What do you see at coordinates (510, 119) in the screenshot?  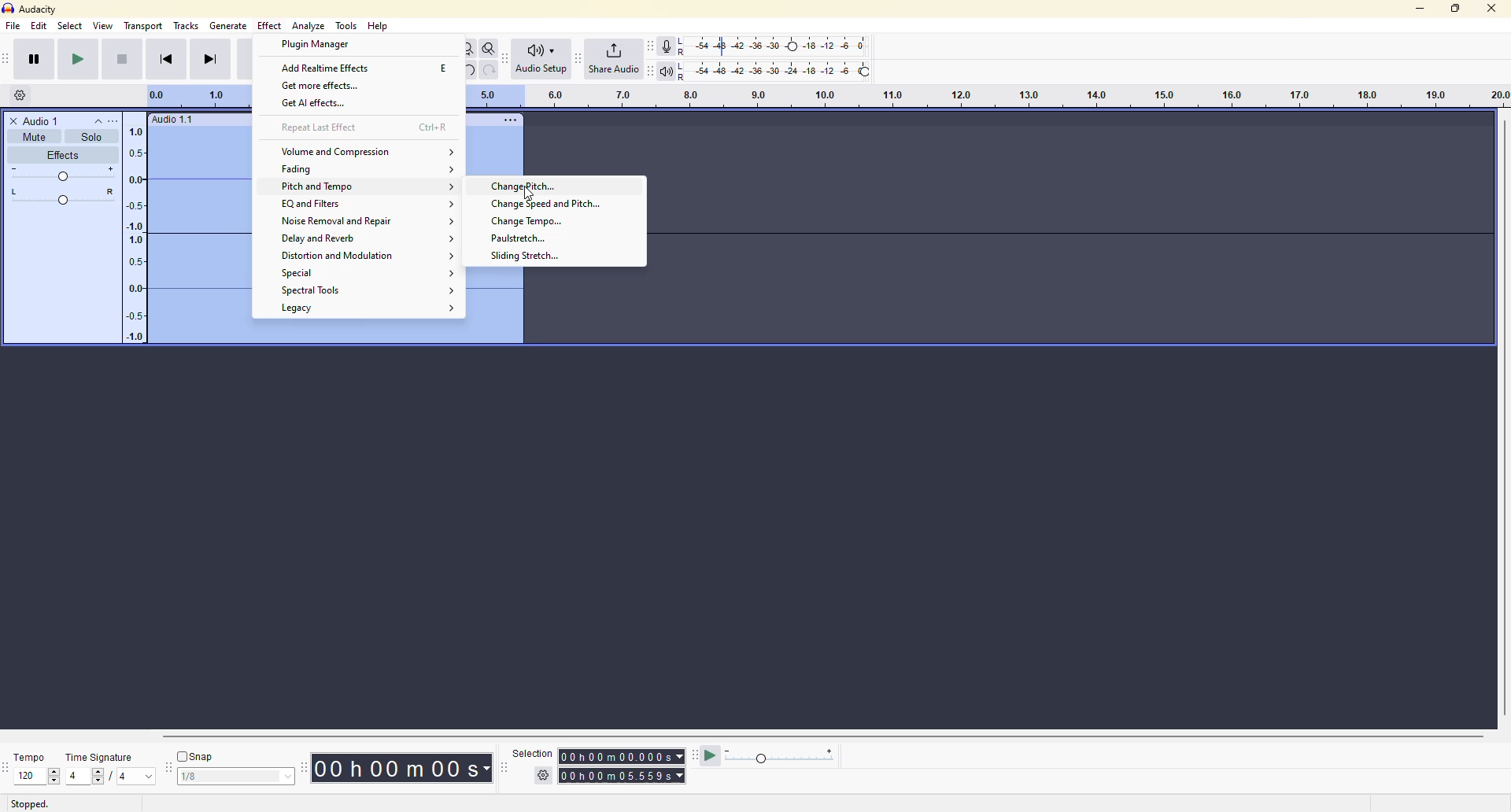 I see `more` at bounding box center [510, 119].